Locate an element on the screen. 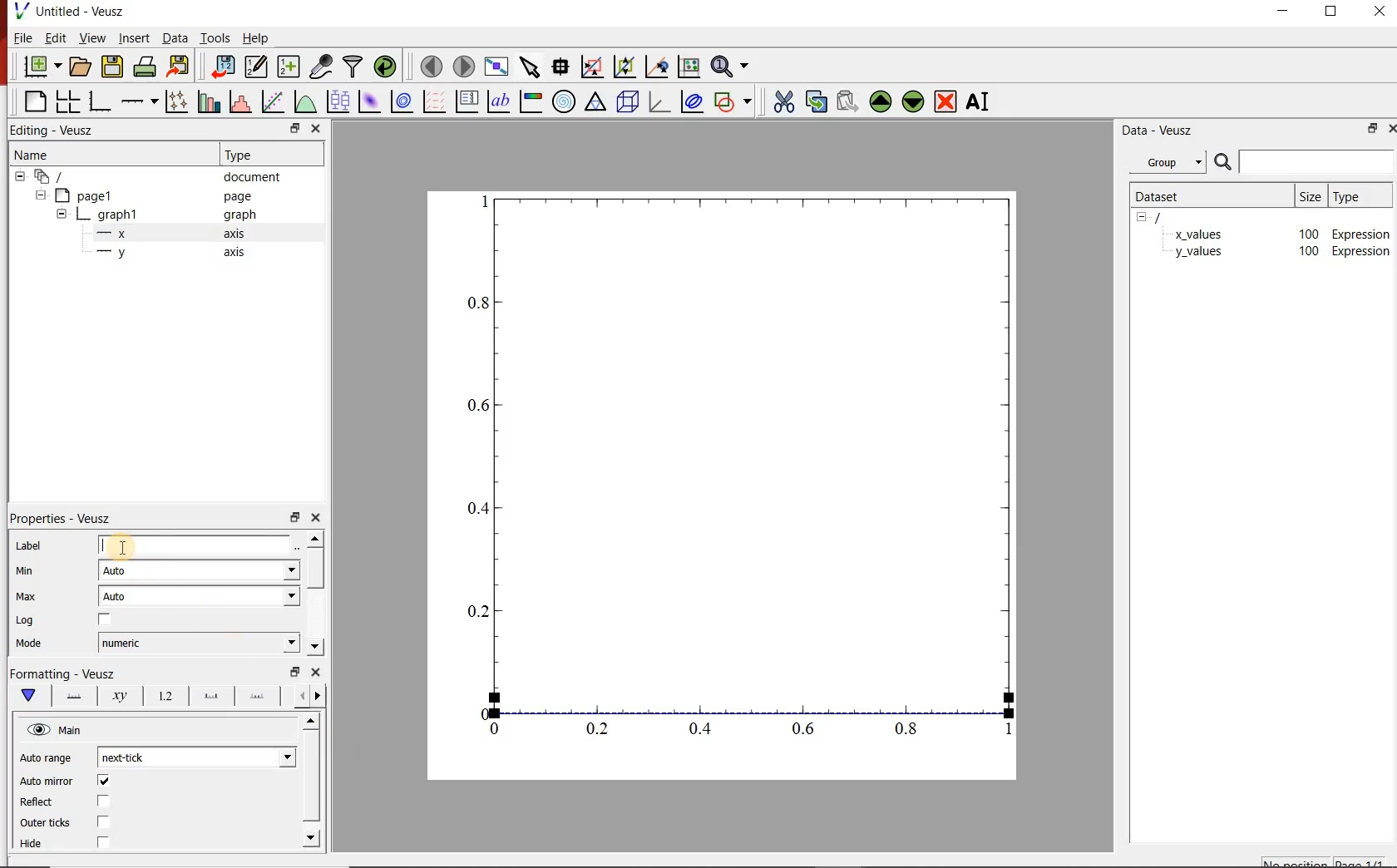 The height and width of the screenshot is (868, 1397). image color bar is located at coordinates (531, 102).